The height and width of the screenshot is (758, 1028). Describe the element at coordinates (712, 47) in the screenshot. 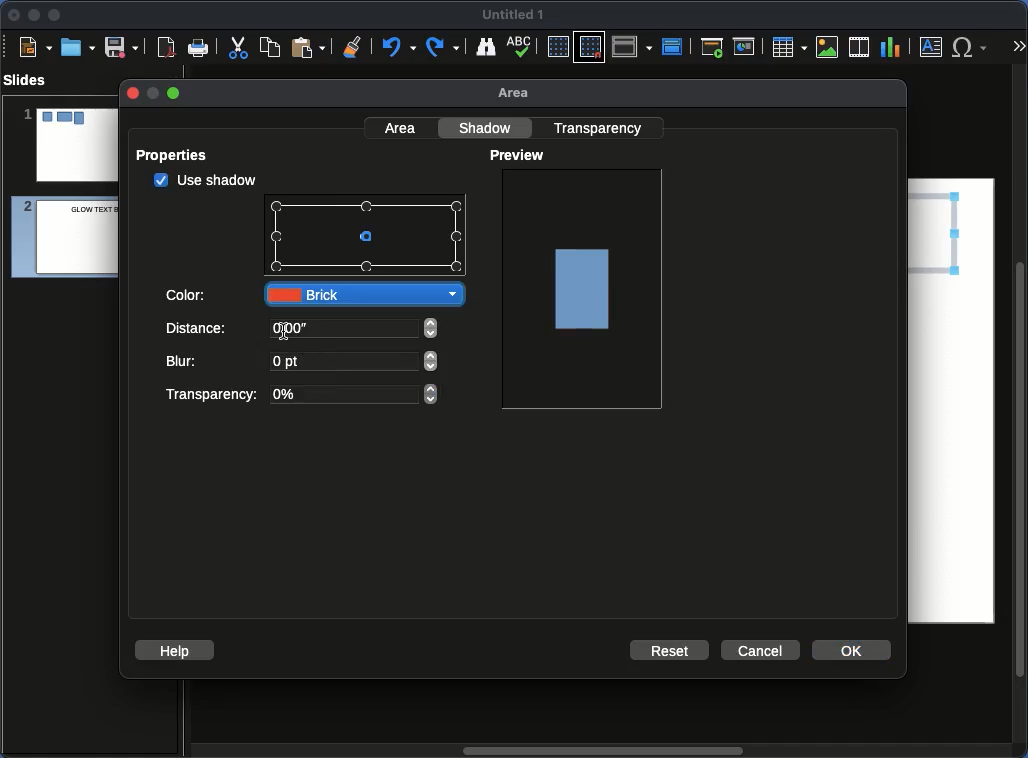

I see `First slide` at that location.